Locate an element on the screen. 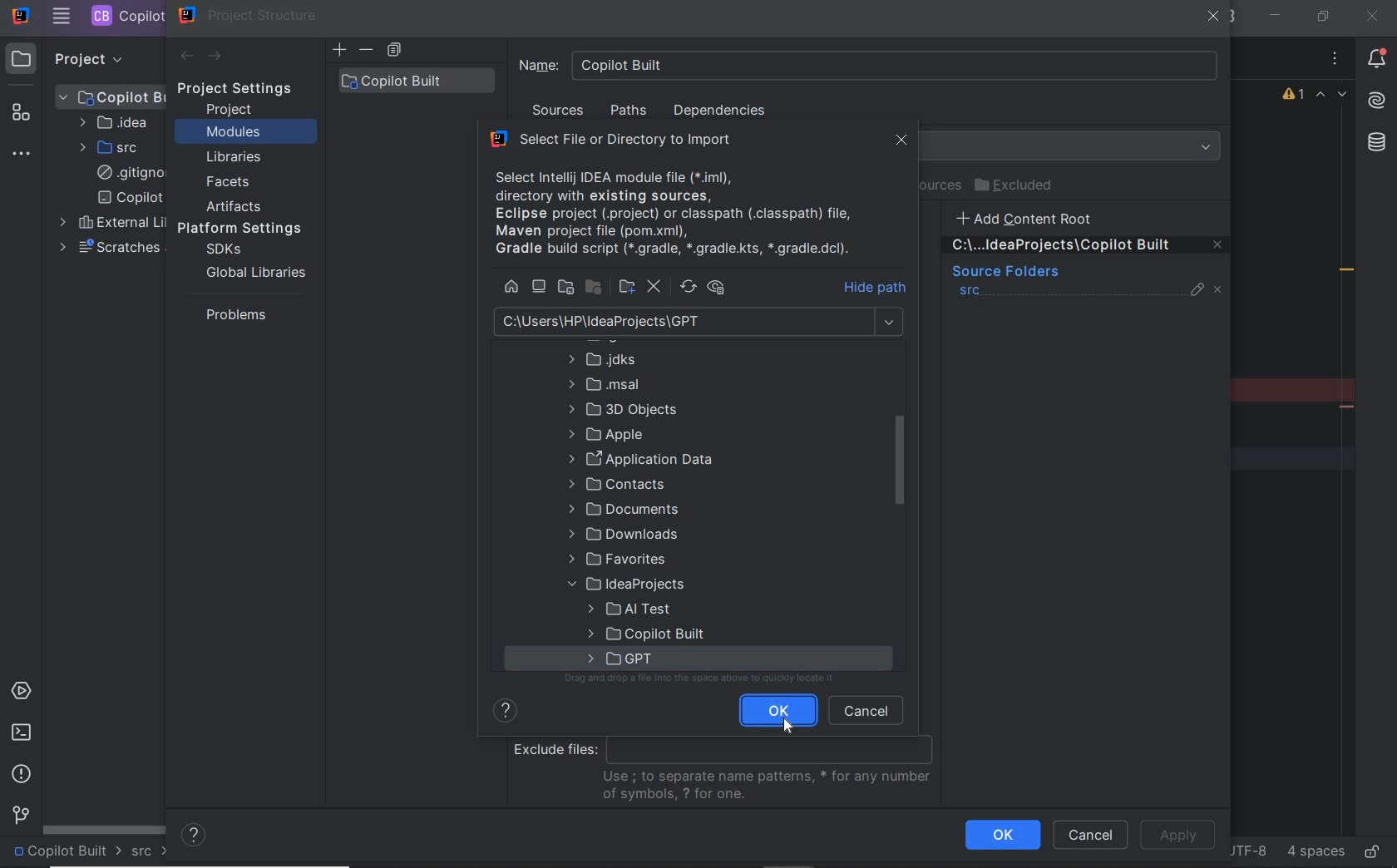 This screenshot has height=868, width=1397. project is located at coordinates (230, 110).